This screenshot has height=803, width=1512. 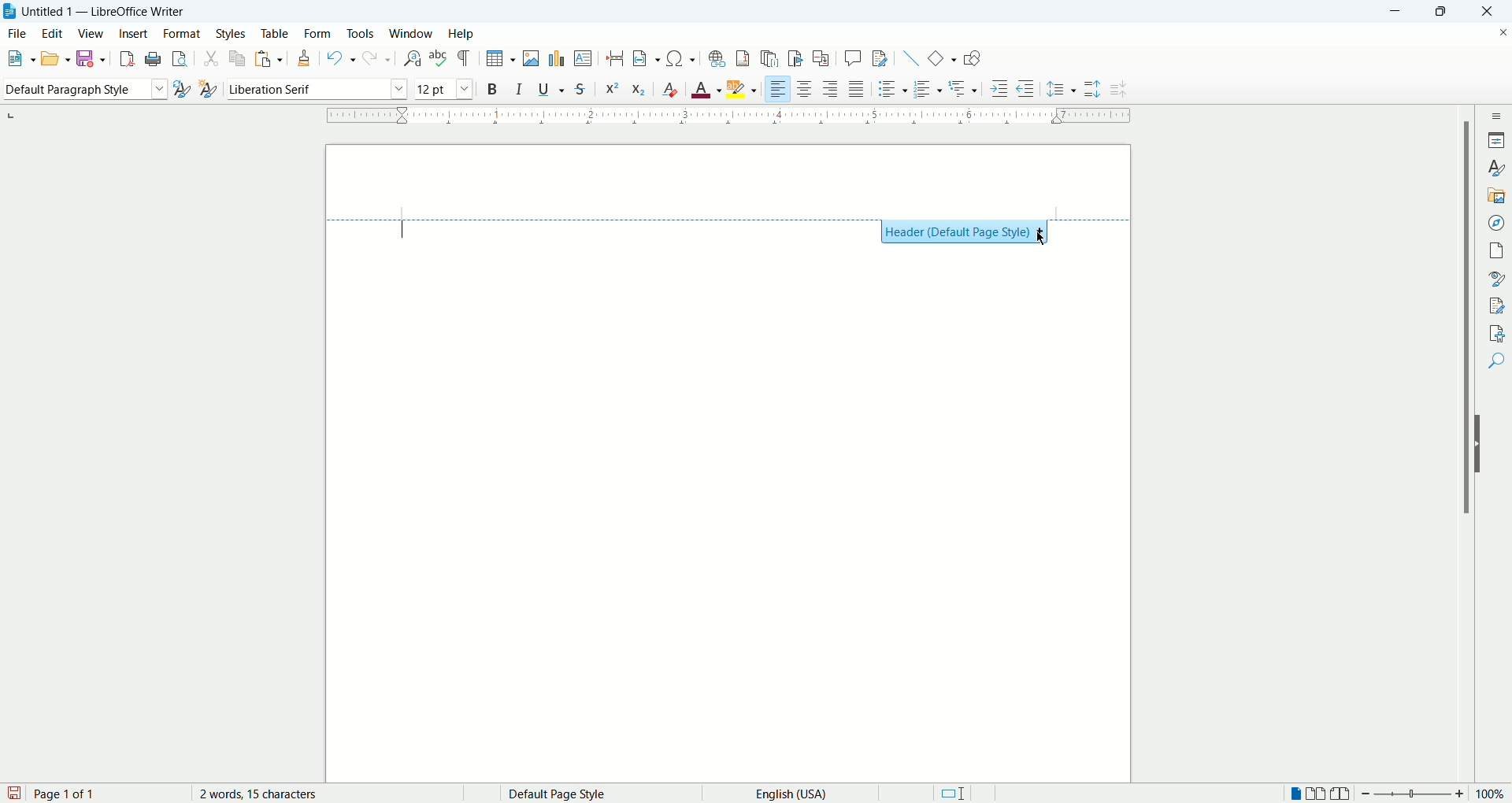 What do you see at coordinates (959, 231) in the screenshot?
I see `Header (Default Page Style) ` at bounding box center [959, 231].